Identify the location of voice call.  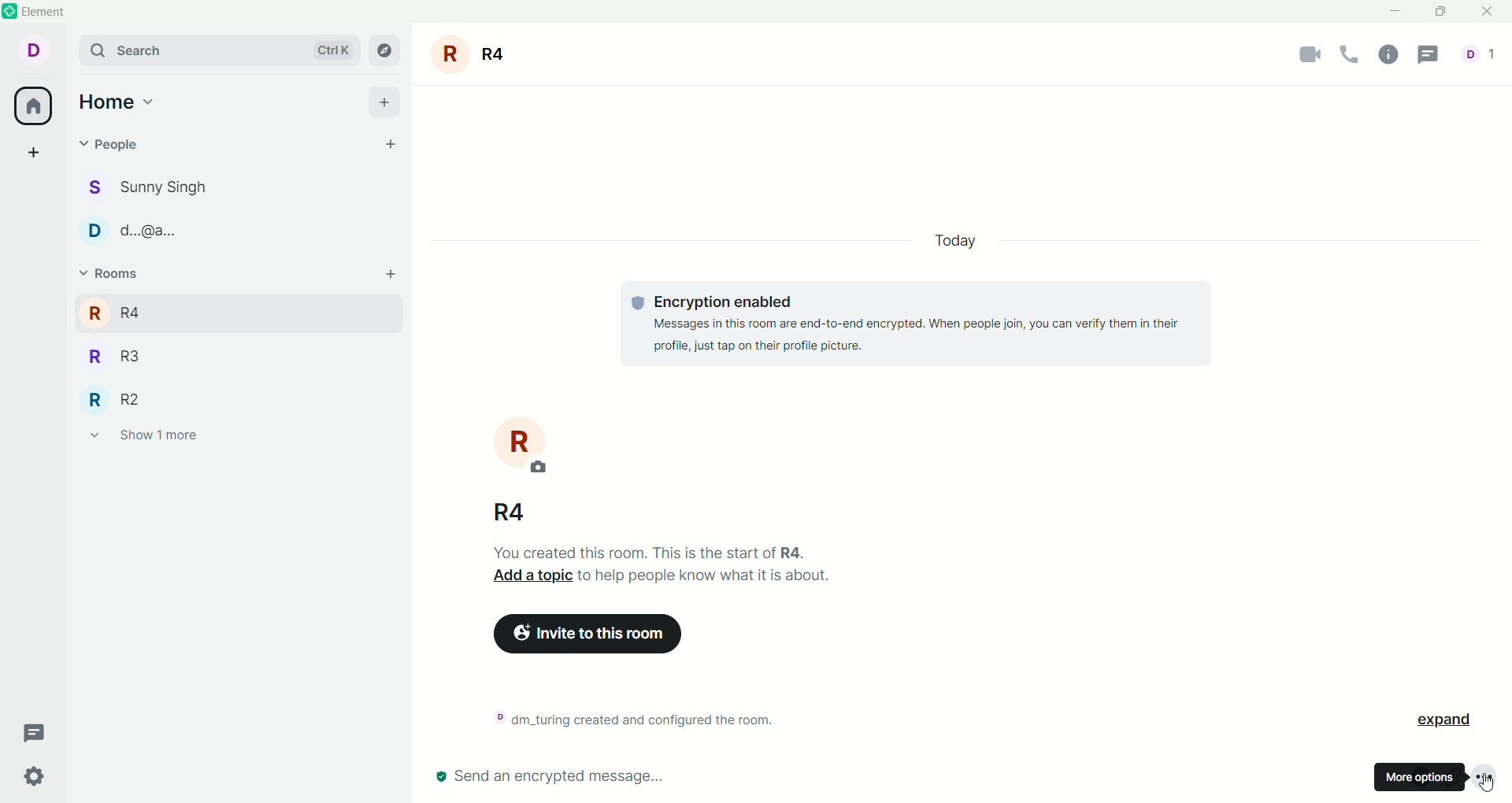
(1350, 56).